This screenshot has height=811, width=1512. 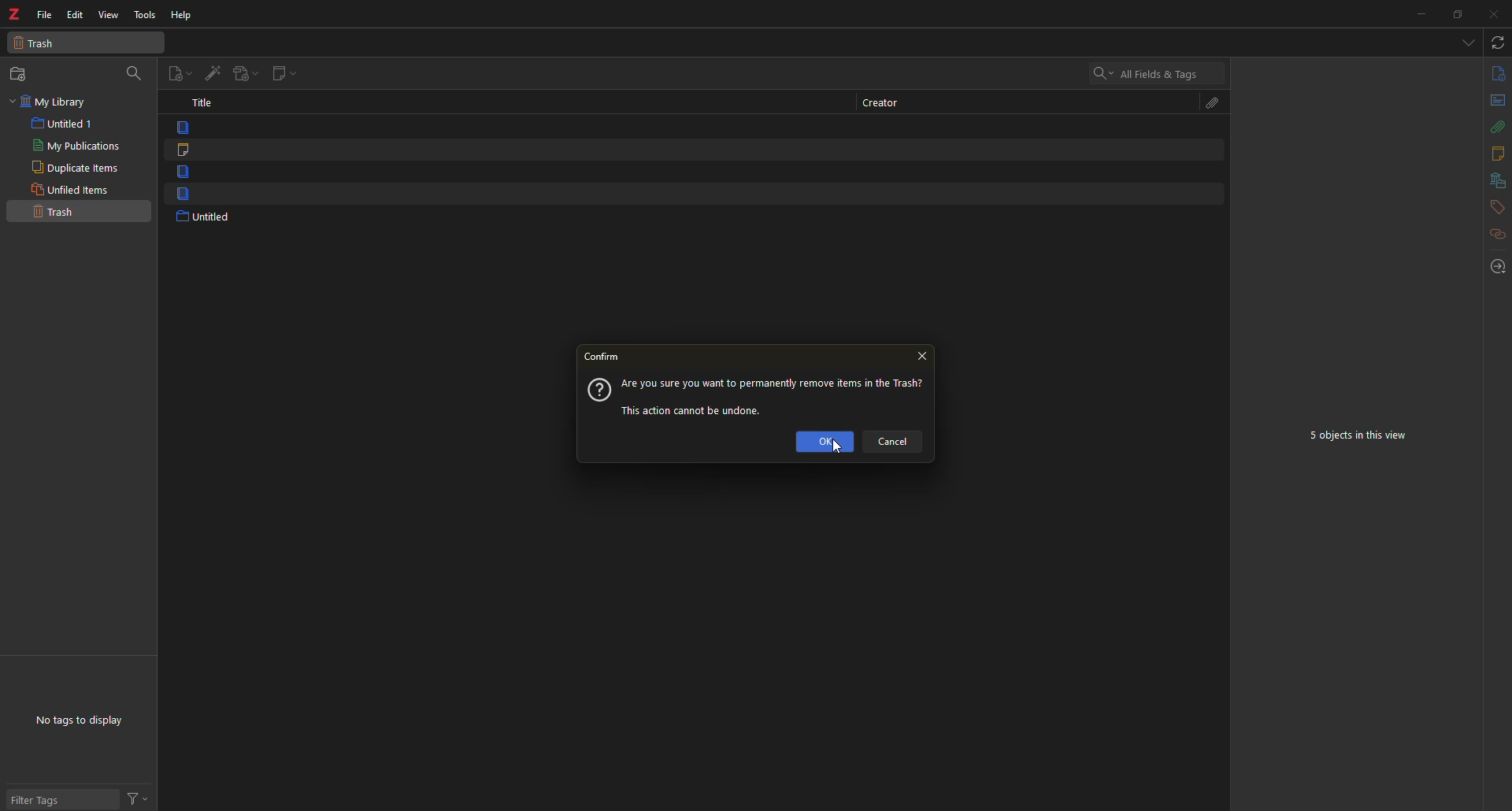 I want to click on trash, so click(x=40, y=45).